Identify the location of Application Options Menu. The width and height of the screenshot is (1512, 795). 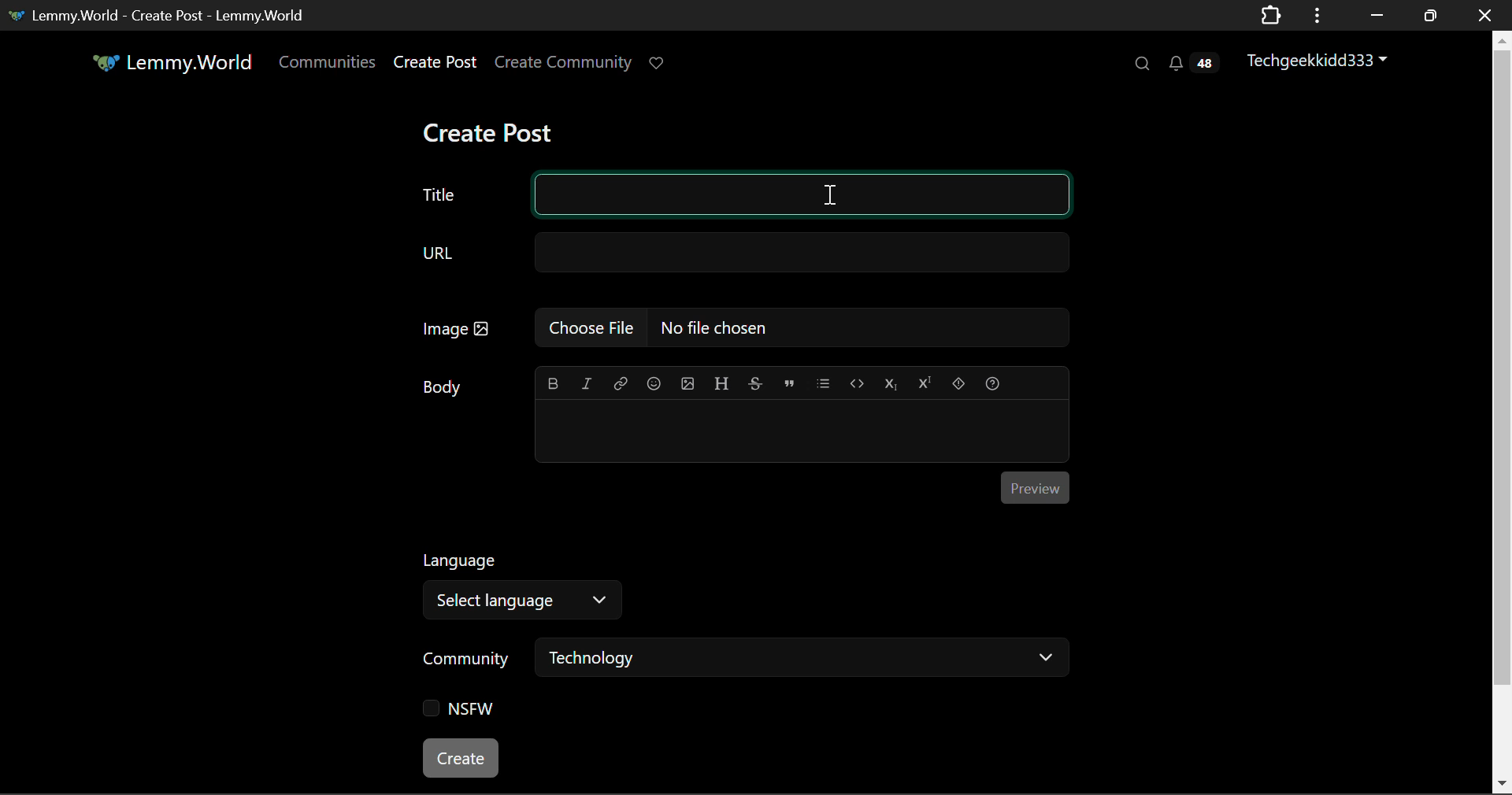
(1317, 14).